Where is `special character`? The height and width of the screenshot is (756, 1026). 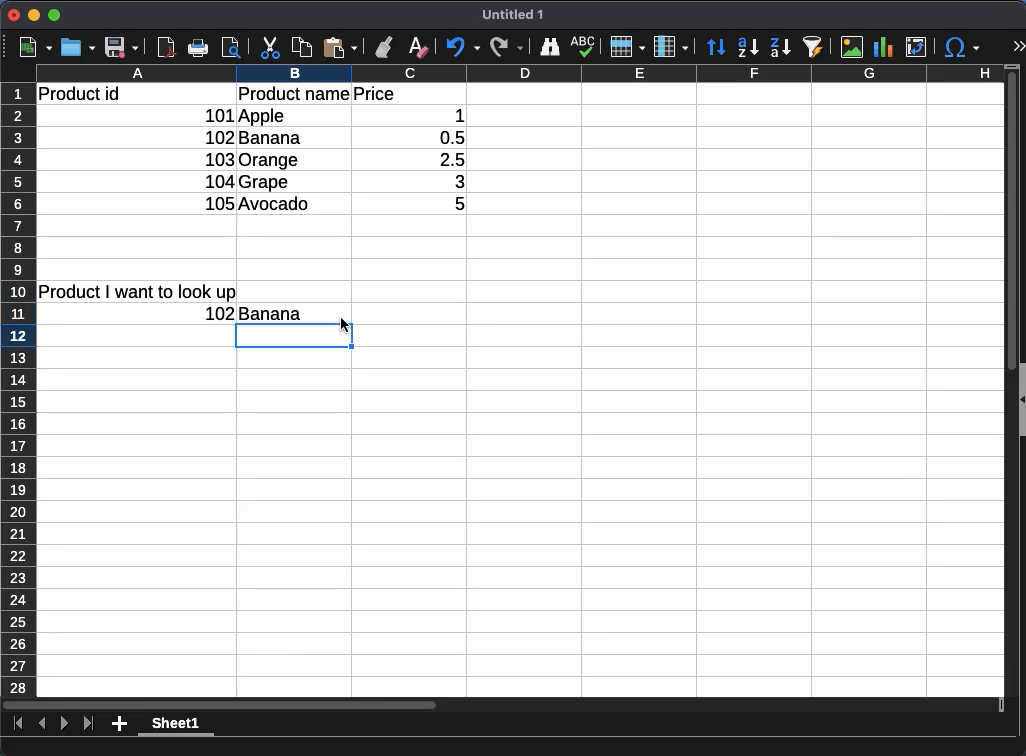 special character is located at coordinates (960, 47).